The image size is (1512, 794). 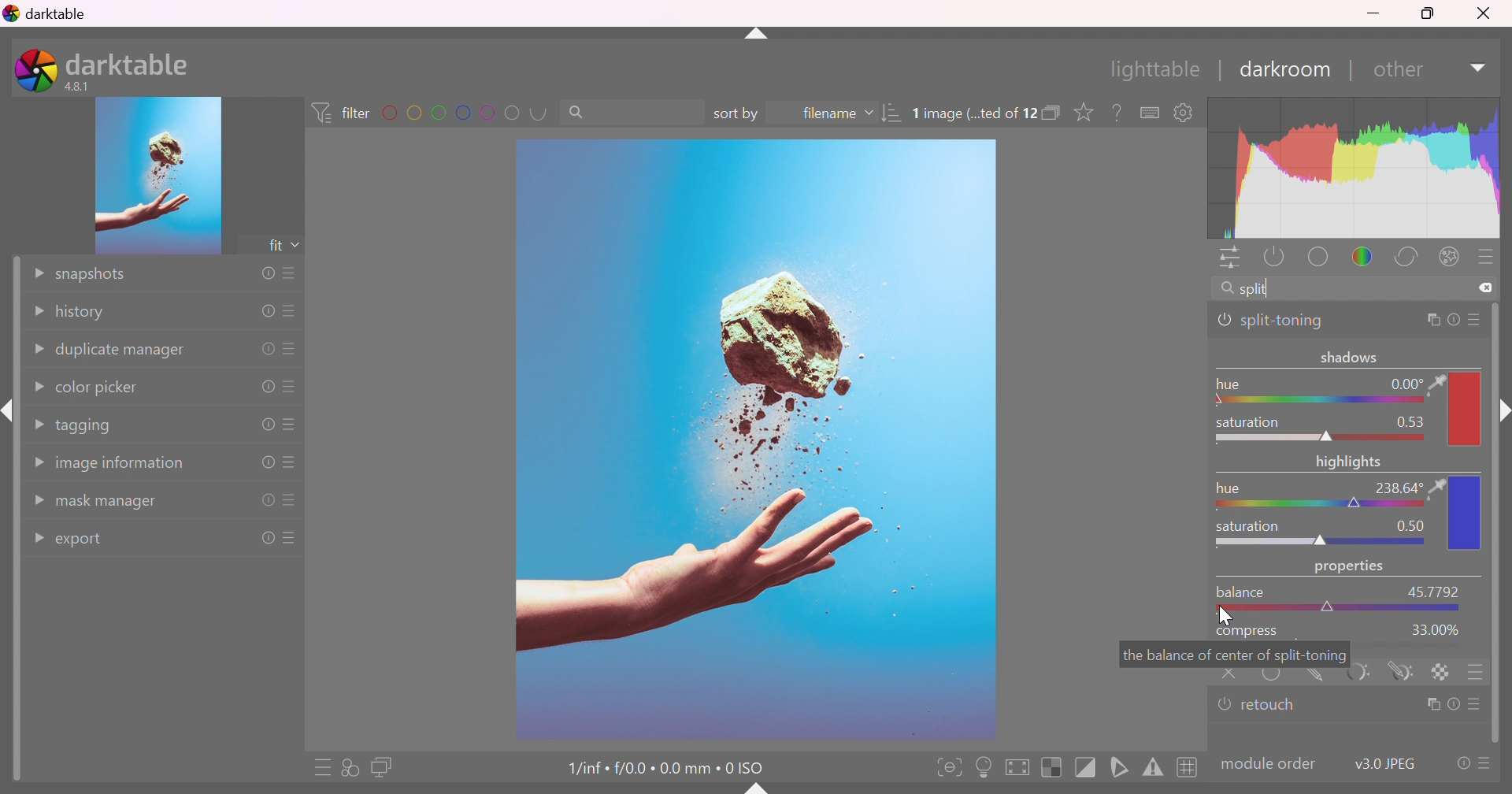 What do you see at coordinates (1503, 408) in the screenshot?
I see `shift+ctrl+r` at bounding box center [1503, 408].